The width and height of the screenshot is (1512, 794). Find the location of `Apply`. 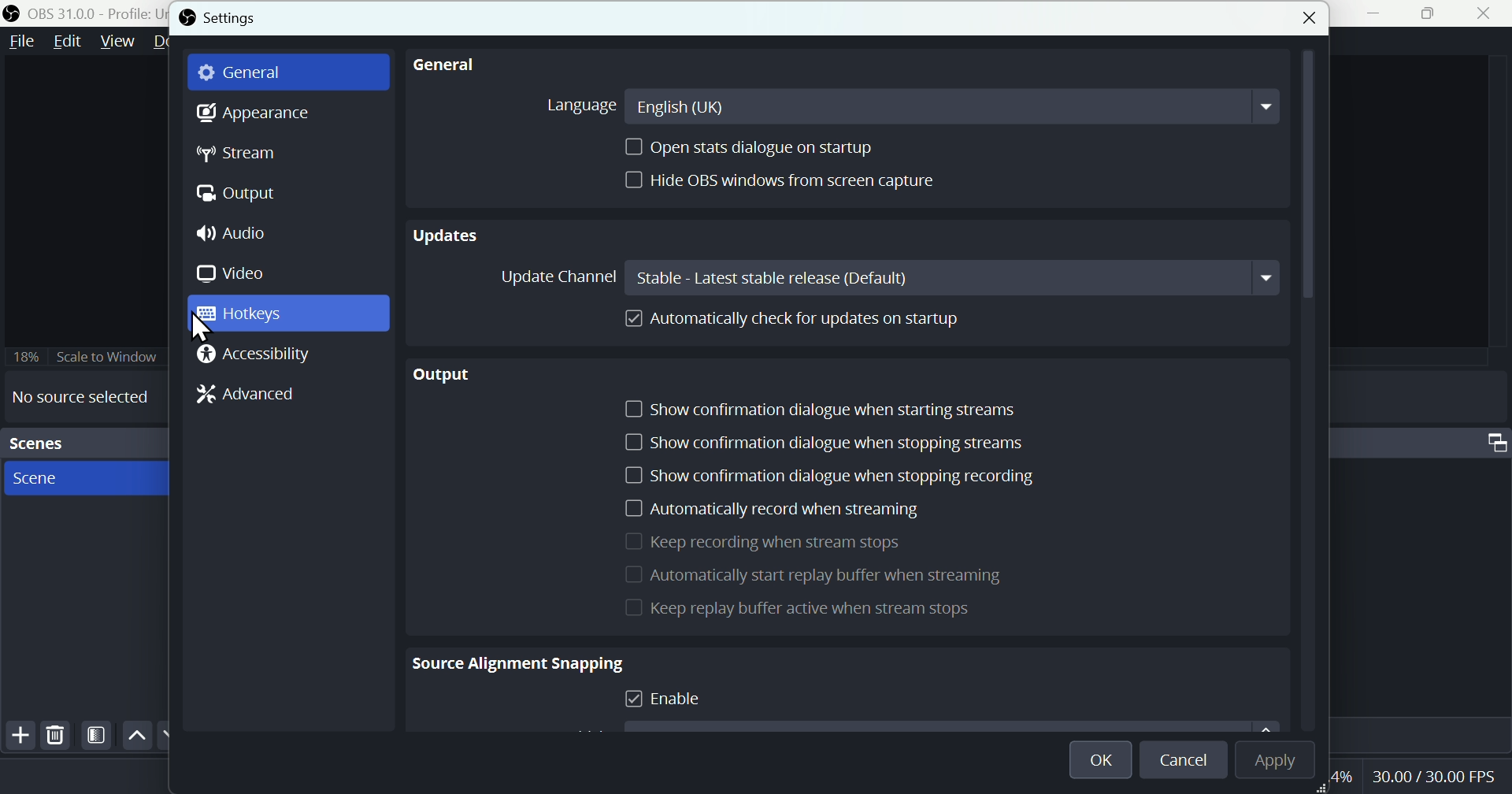

Apply is located at coordinates (1276, 756).